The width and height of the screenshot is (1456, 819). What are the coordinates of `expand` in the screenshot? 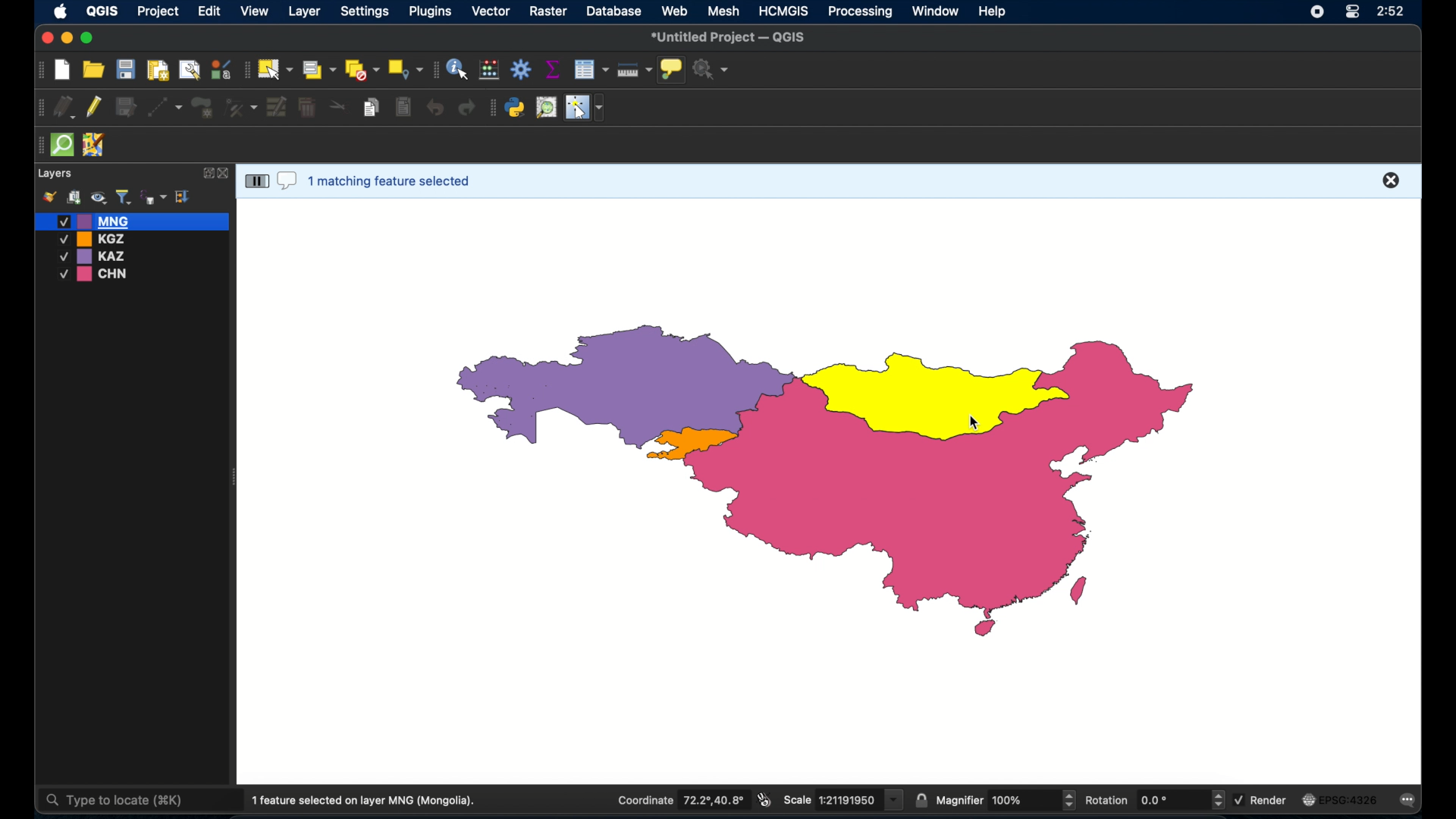 It's located at (206, 173).